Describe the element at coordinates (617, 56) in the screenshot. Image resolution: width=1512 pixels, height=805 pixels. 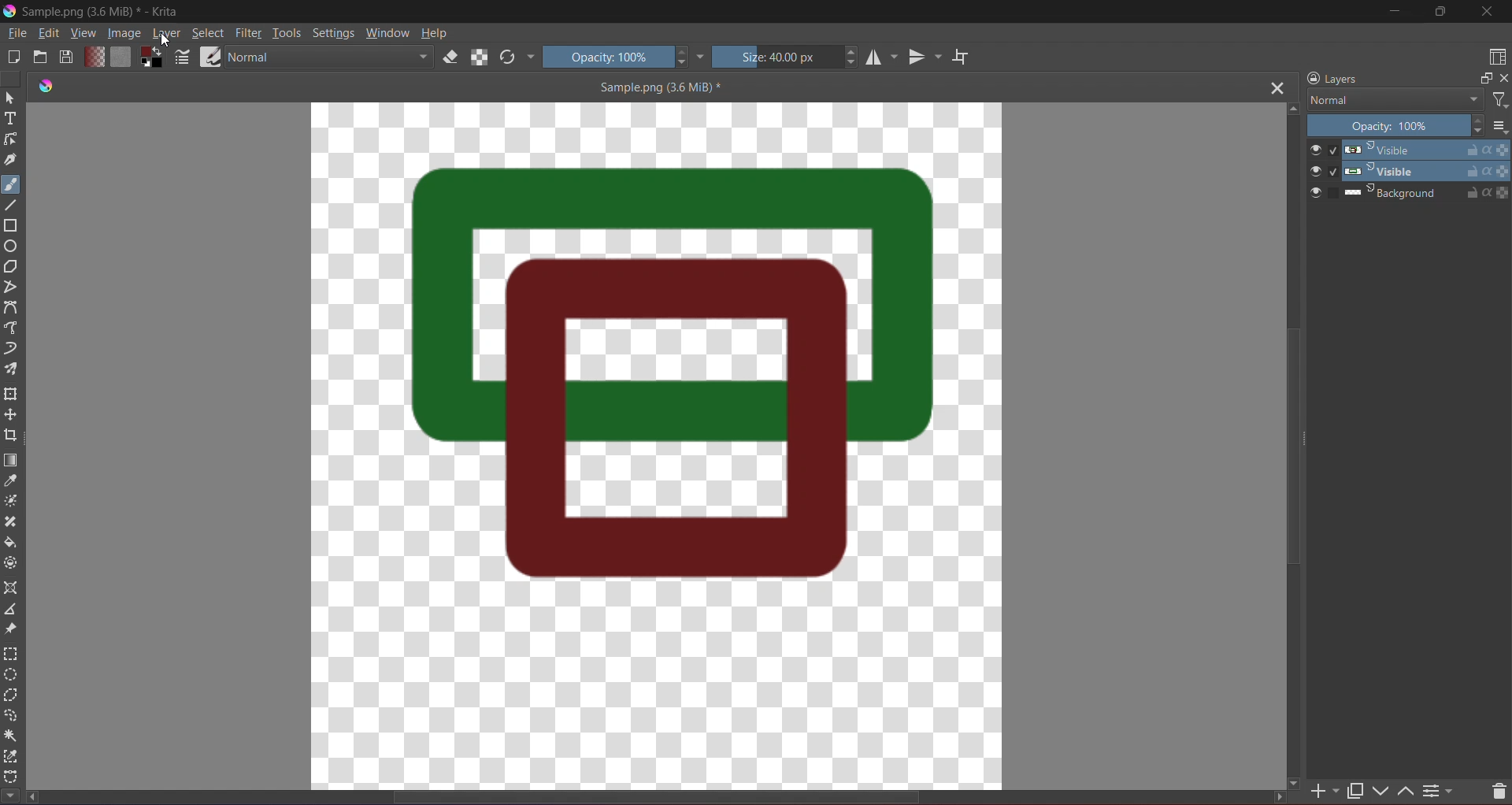
I see `Opacity` at that location.